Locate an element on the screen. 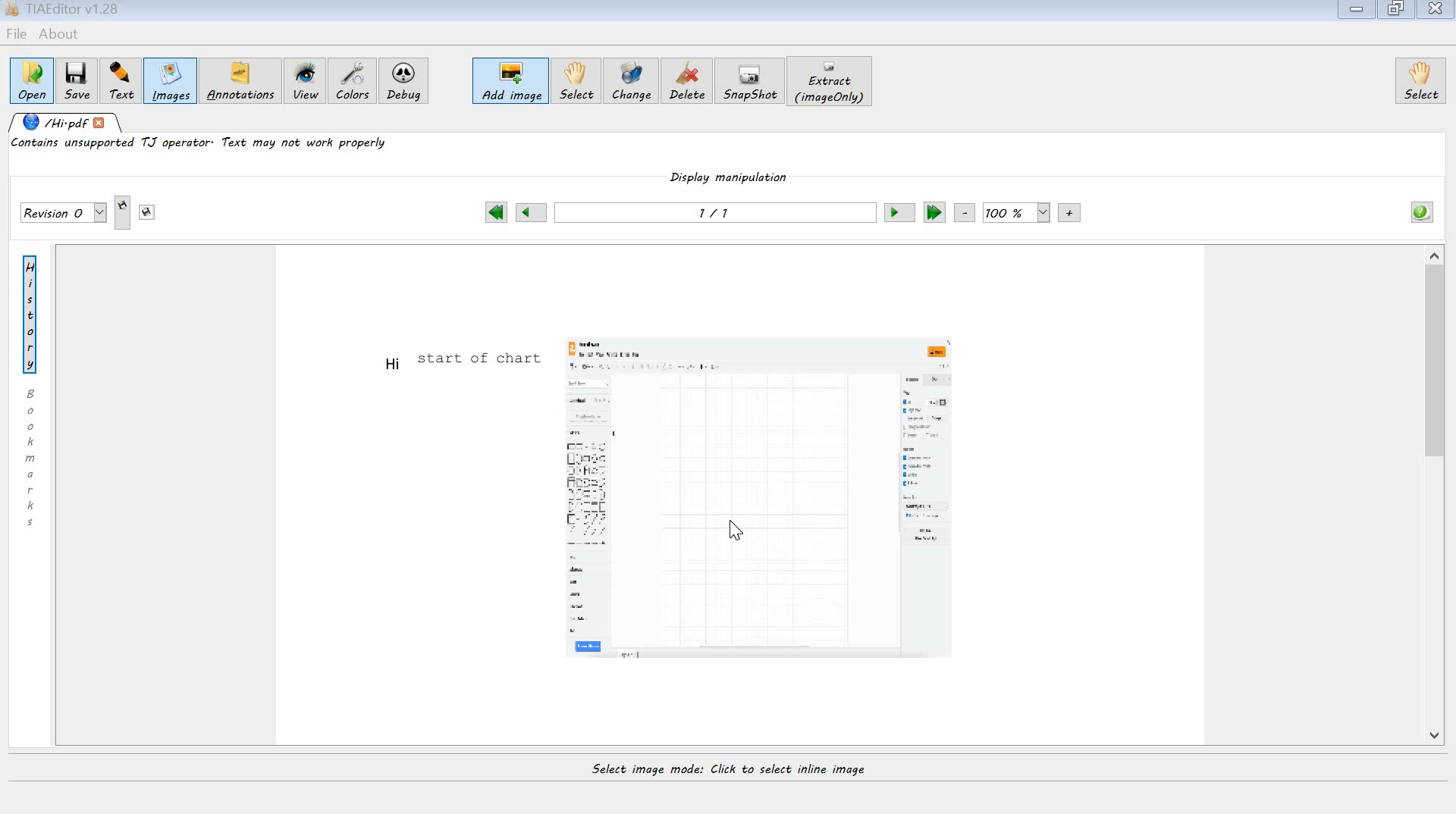  info about opened pdf is located at coordinates (1420, 211).